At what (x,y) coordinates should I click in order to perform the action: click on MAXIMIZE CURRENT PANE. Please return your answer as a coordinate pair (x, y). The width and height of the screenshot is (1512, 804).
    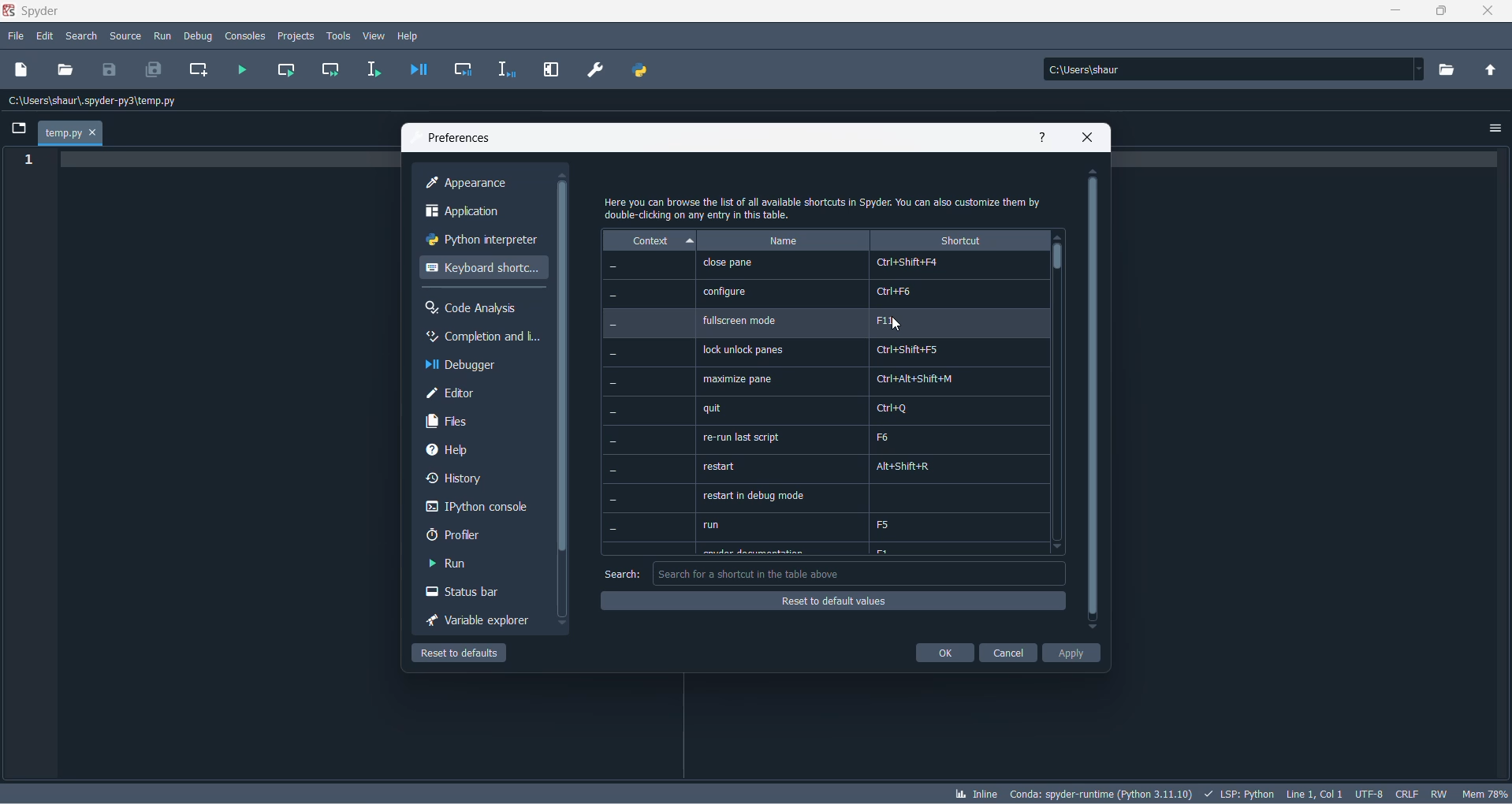
    Looking at the image, I should click on (549, 71).